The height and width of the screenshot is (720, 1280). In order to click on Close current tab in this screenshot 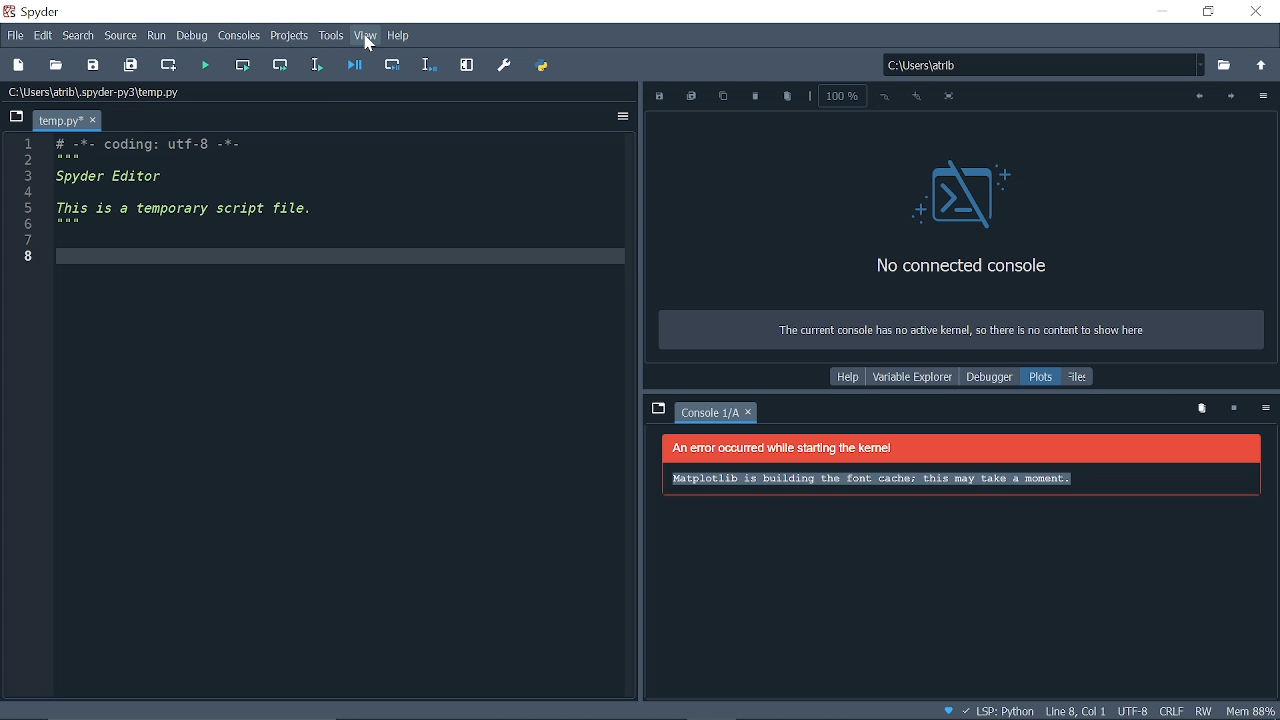, I will do `click(93, 121)`.